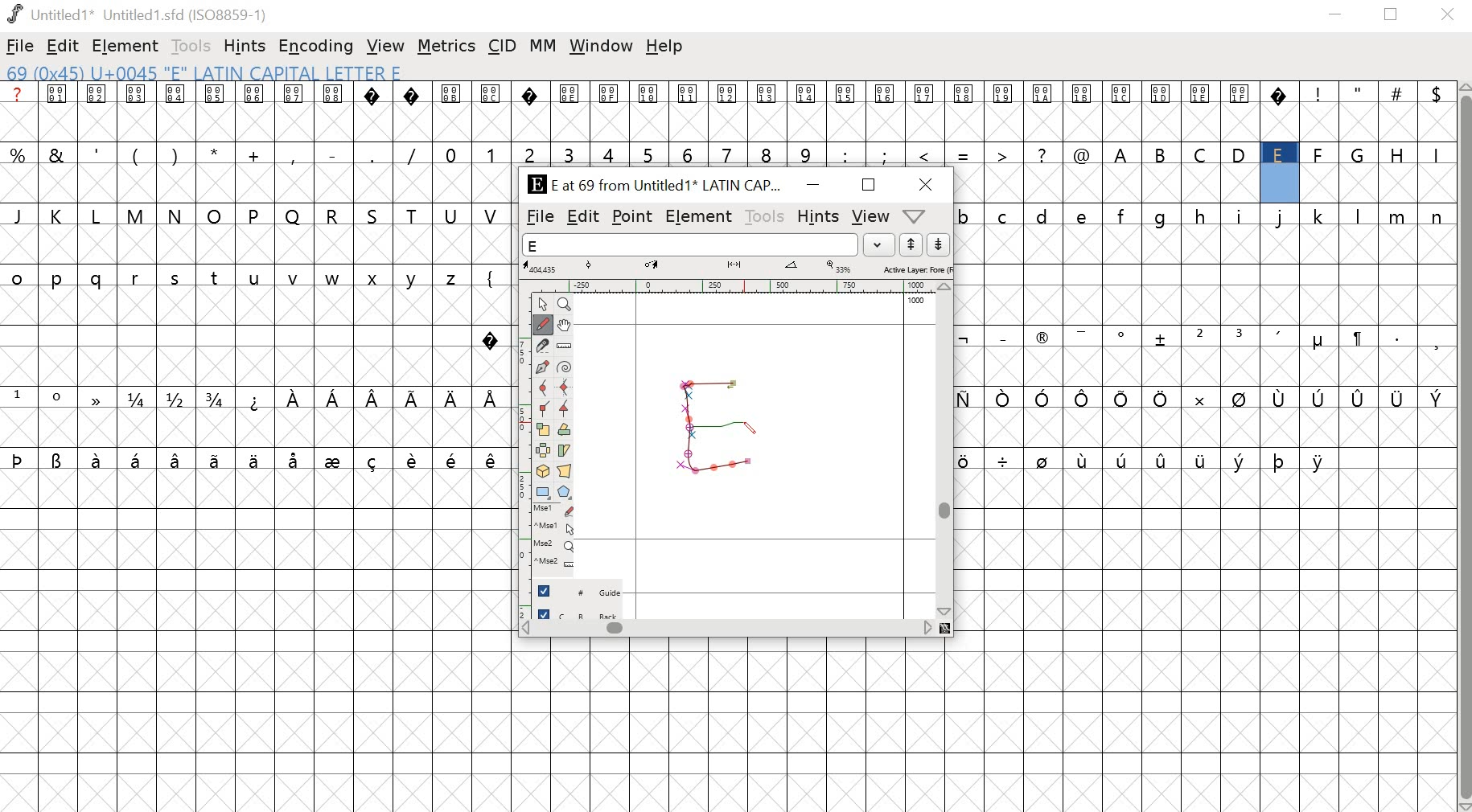 The width and height of the screenshot is (1472, 812). I want to click on 1000, so click(917, 301).